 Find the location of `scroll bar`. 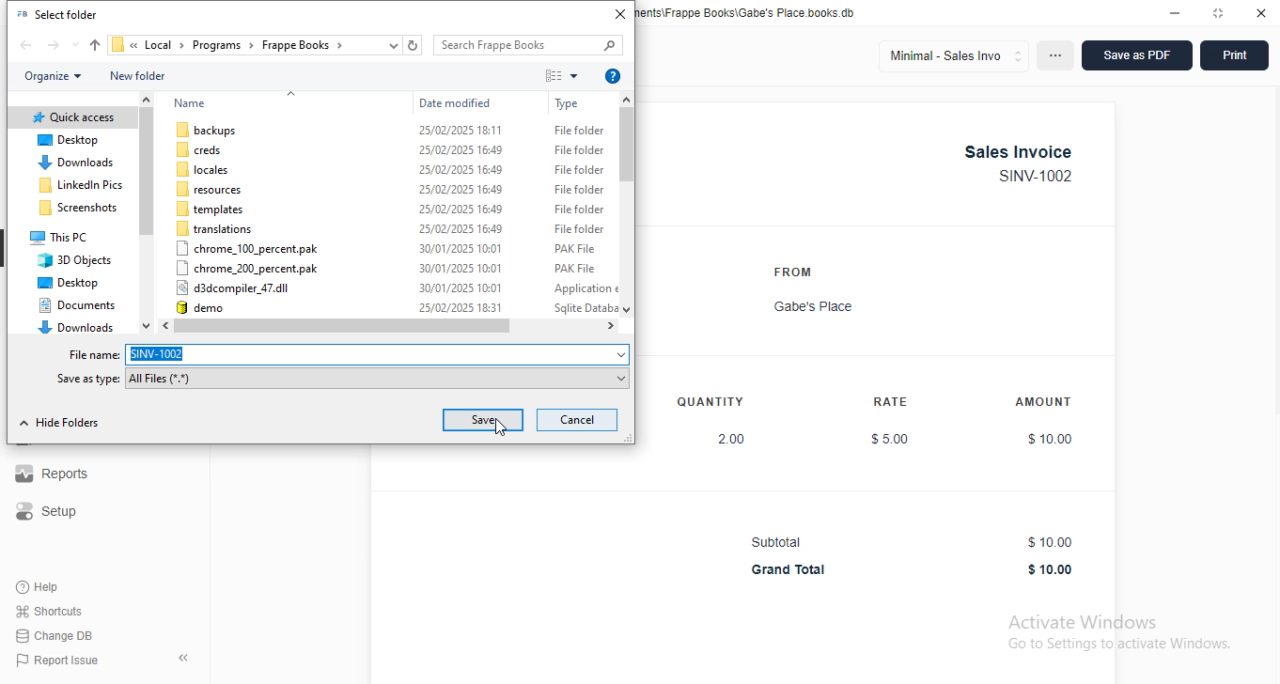

scroll bar is located at coordinates (146, 208).